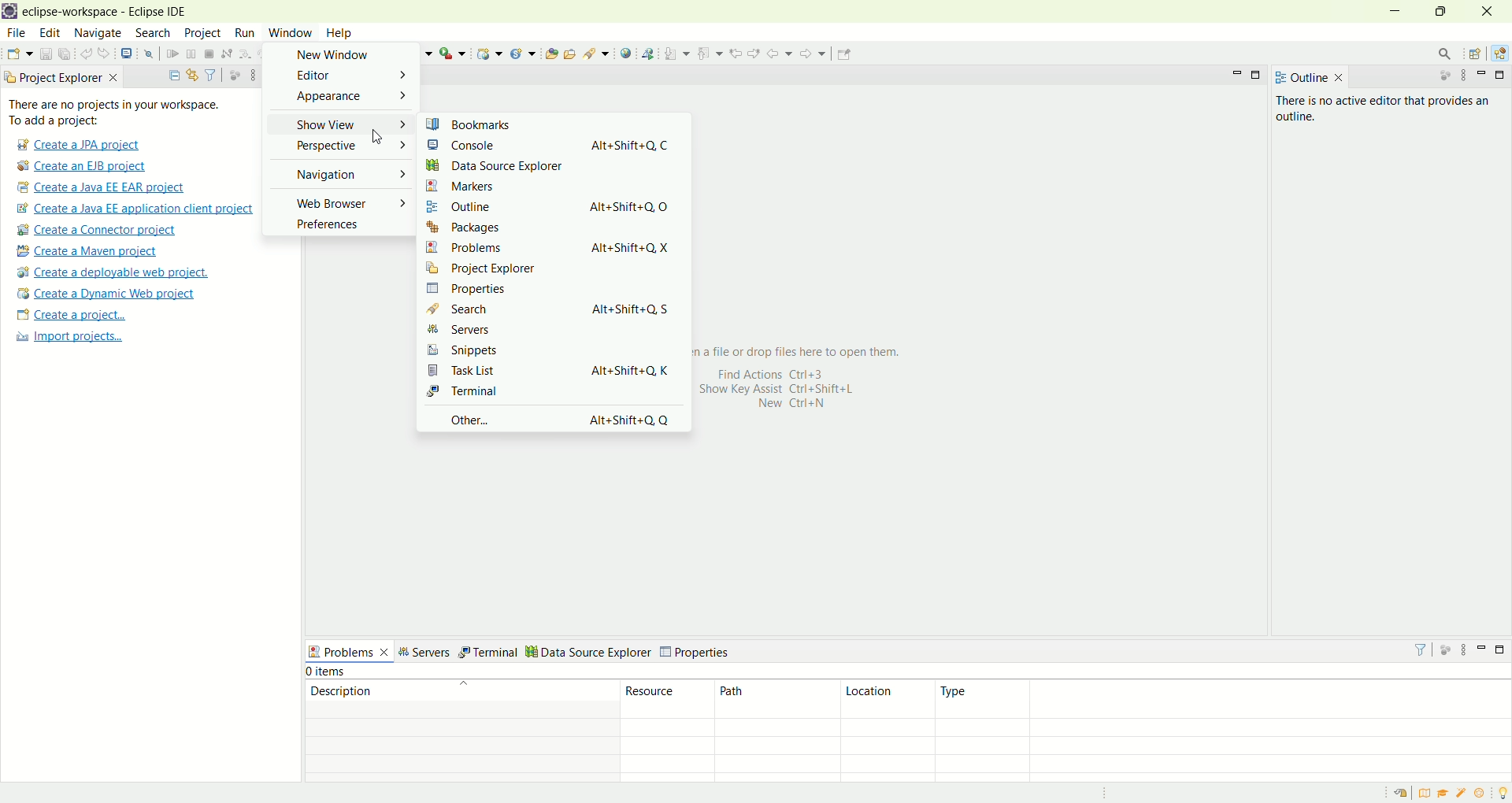 This screenshot has width=1512, height=803. Describe the element at coordinates (888, 698) in the screenshot. I see `location` at that location.